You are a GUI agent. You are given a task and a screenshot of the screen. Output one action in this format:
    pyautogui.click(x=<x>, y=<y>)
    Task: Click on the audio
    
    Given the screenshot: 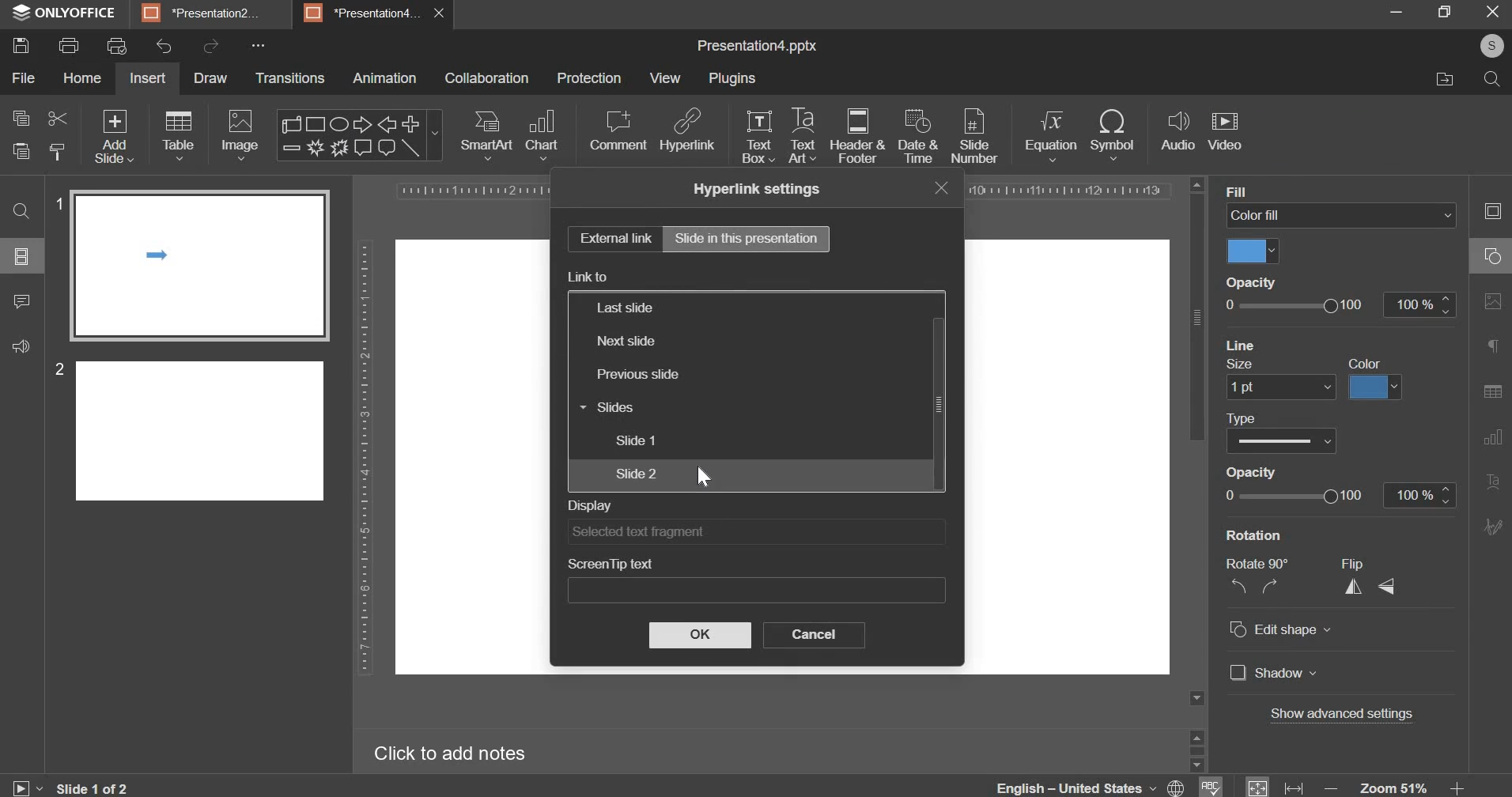 What is the action you would take?
    pyautogui.click(x=1177, y=132)
    